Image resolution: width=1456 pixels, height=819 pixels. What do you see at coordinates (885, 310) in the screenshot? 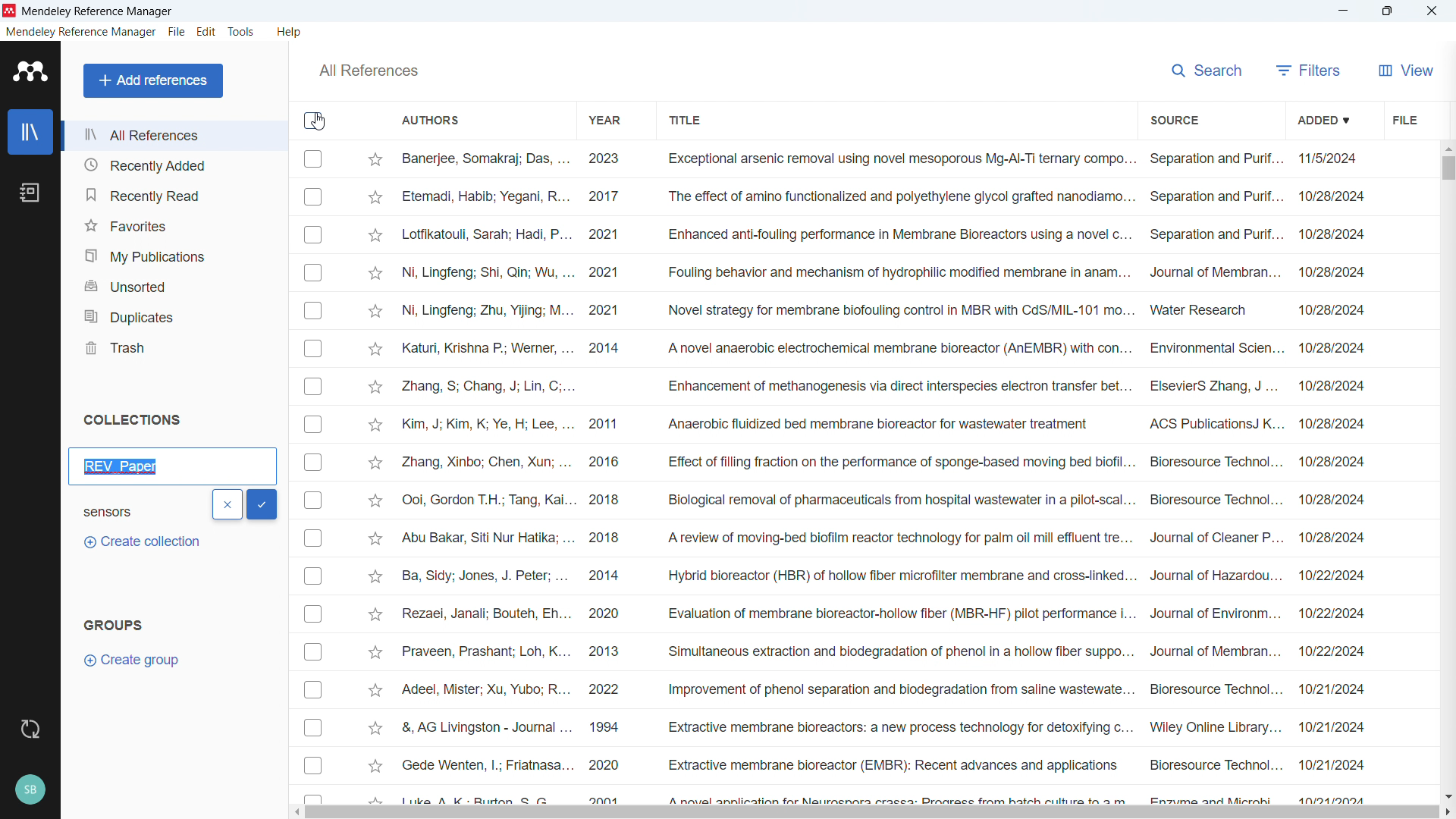
I see `Ni, Lingfeng; Zhu, Yijing; M... 2021 Novel strategy for membrane biofouling control in MBR with CdS/MIL-101 mo... Water Research 10/28/2024` at bounding box center [885, 310].